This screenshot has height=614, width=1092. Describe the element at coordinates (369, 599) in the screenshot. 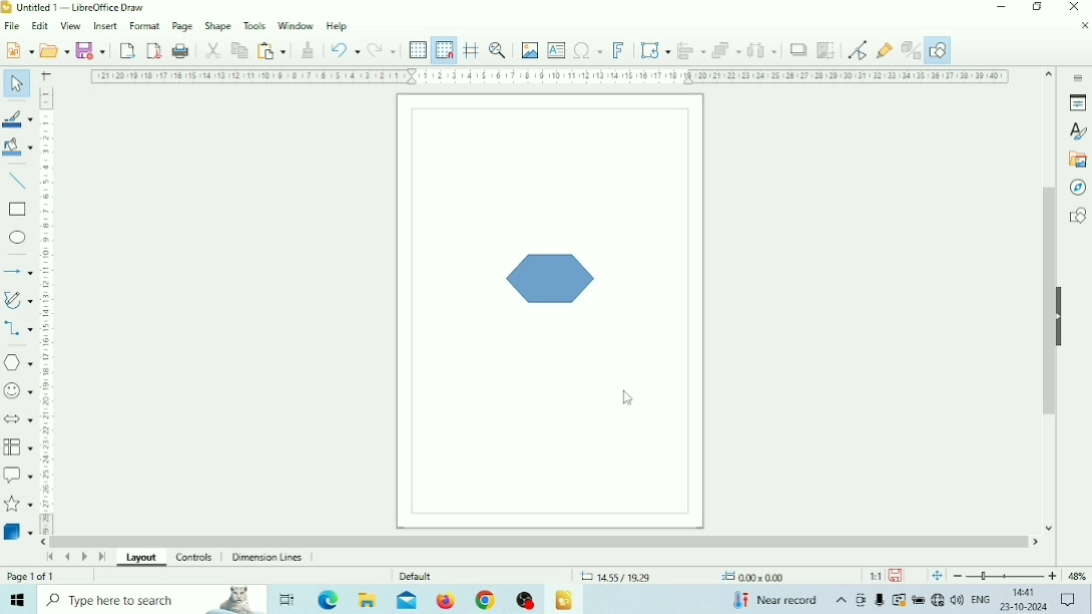

I see `File Explorer` at that location.